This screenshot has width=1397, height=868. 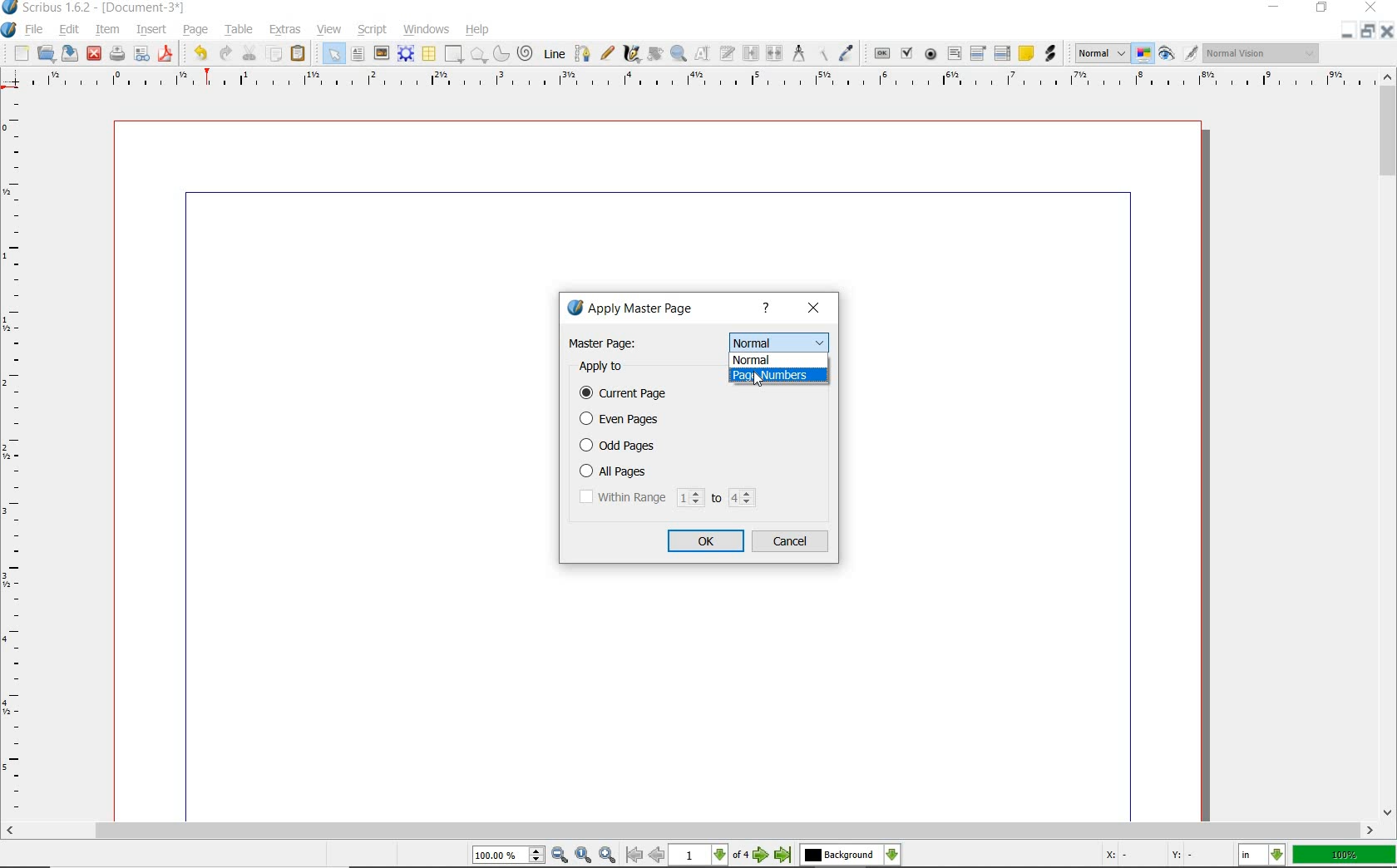 I want to click on zoom factor 100%, so click(x=1345, y=856).